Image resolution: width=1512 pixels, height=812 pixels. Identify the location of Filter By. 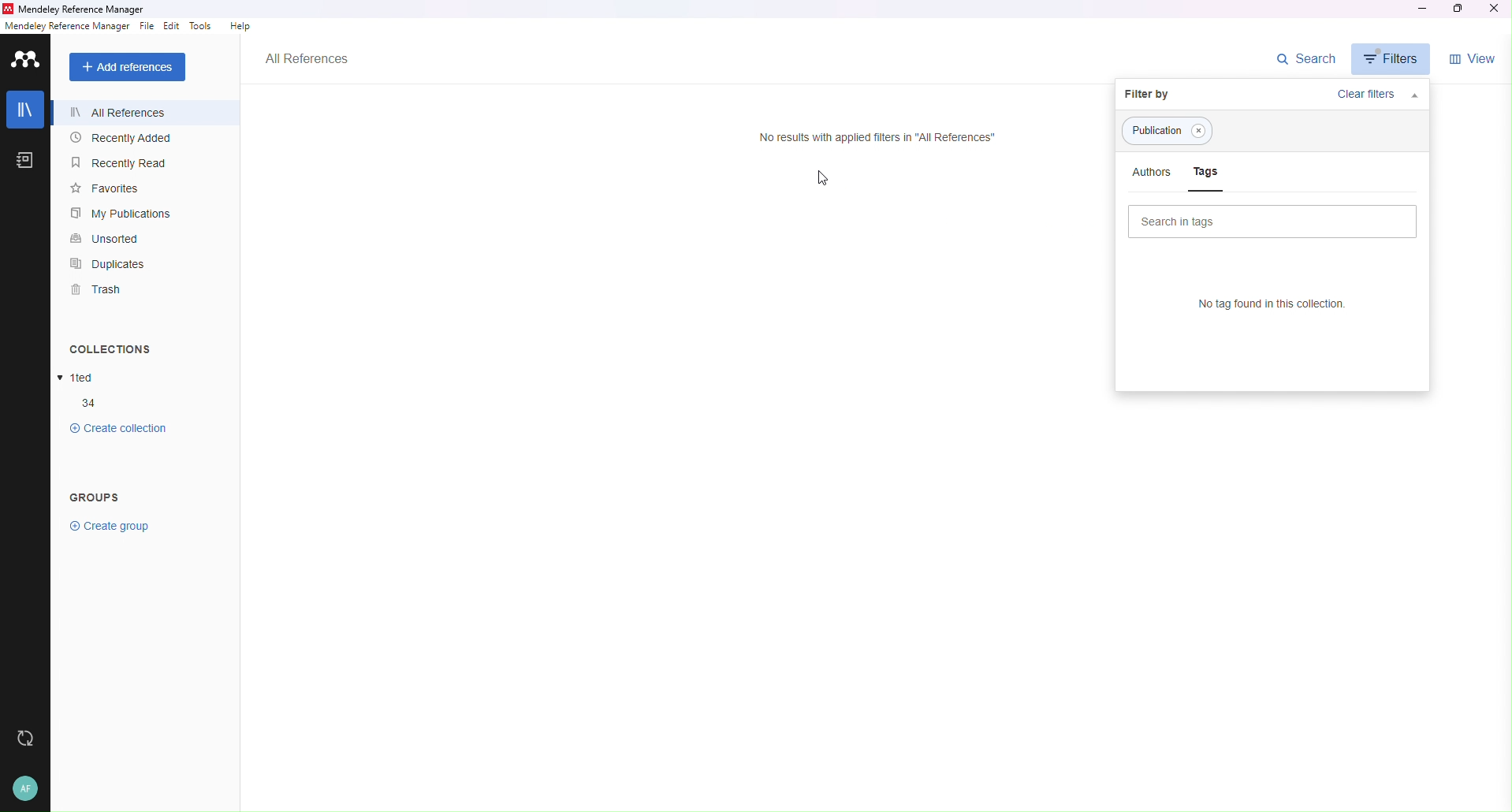
(1167, 93).